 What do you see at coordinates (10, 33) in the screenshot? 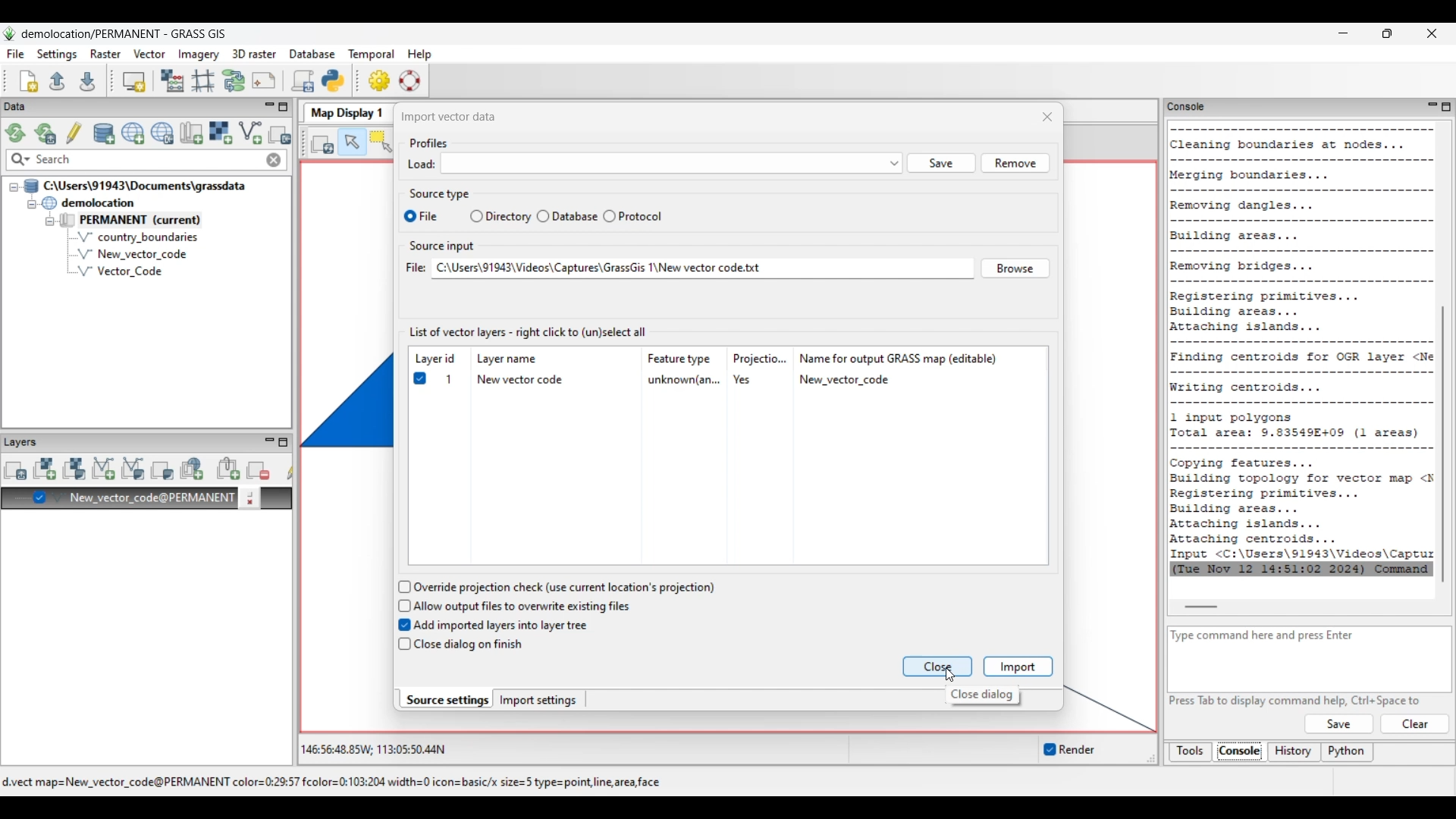
I see `Software logo` at bounding box center [10, 33].